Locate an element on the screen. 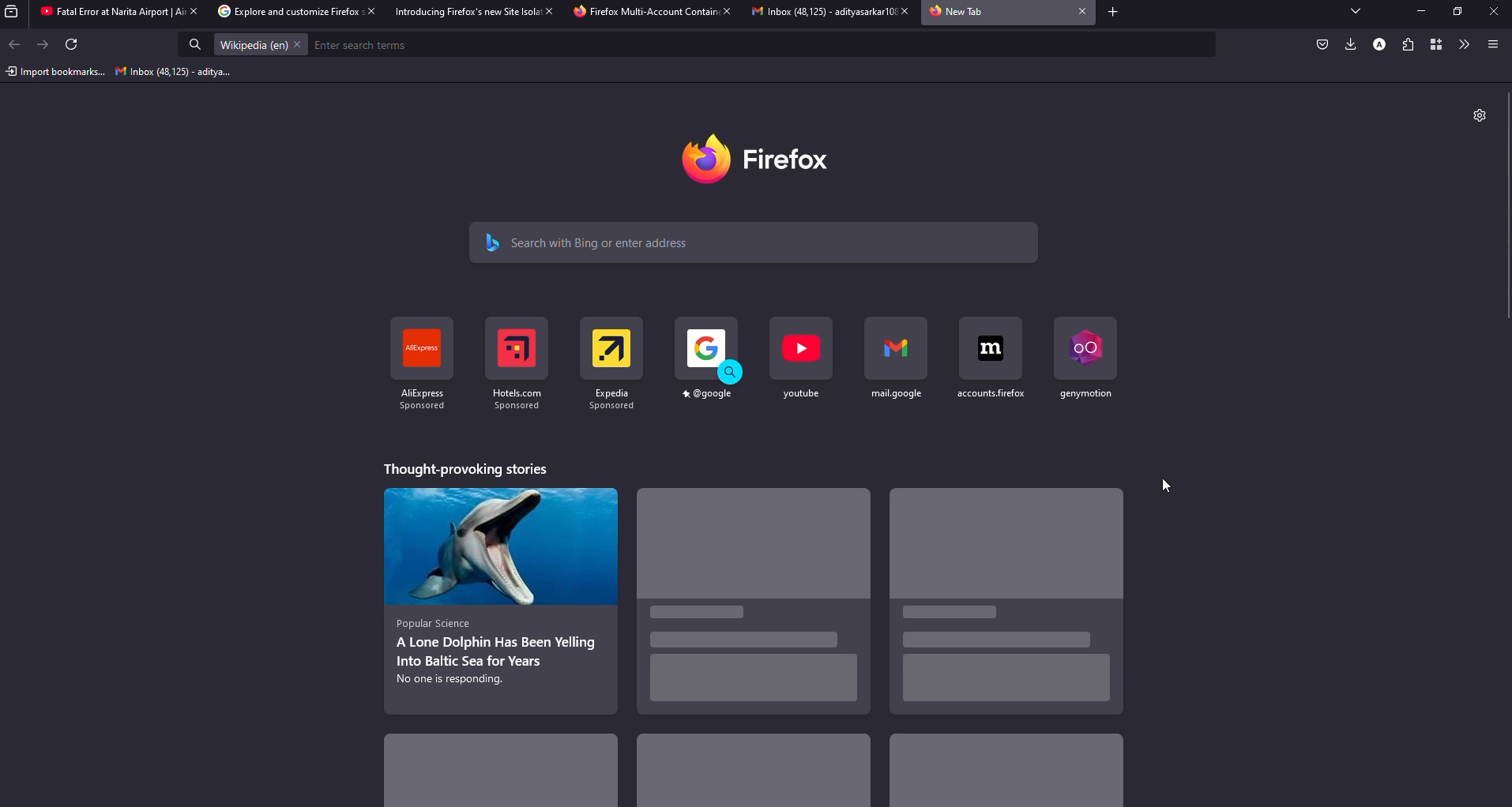  close is located at coordinates (726, 12).